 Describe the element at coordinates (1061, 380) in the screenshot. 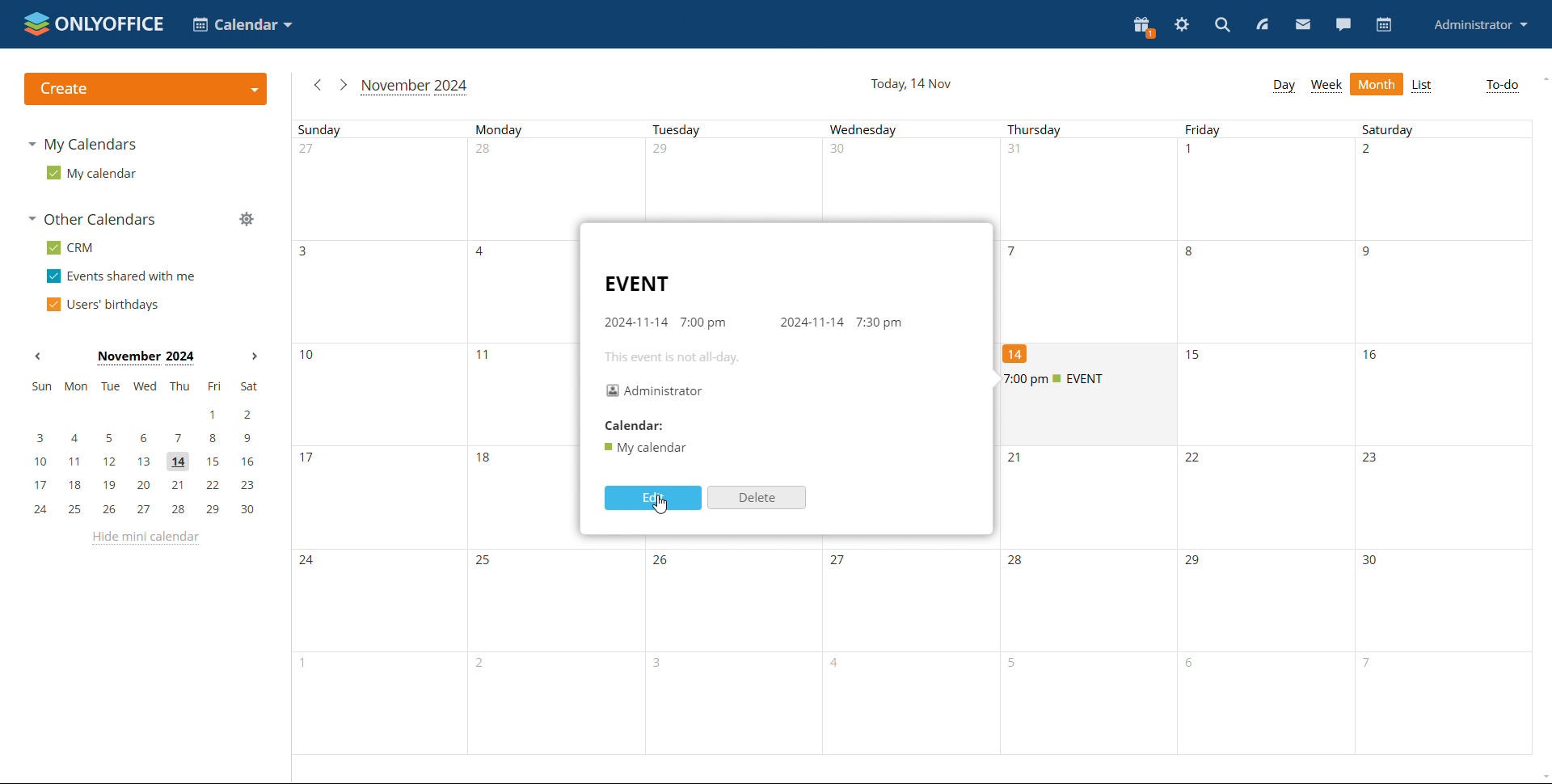

I see `event time` at that location.